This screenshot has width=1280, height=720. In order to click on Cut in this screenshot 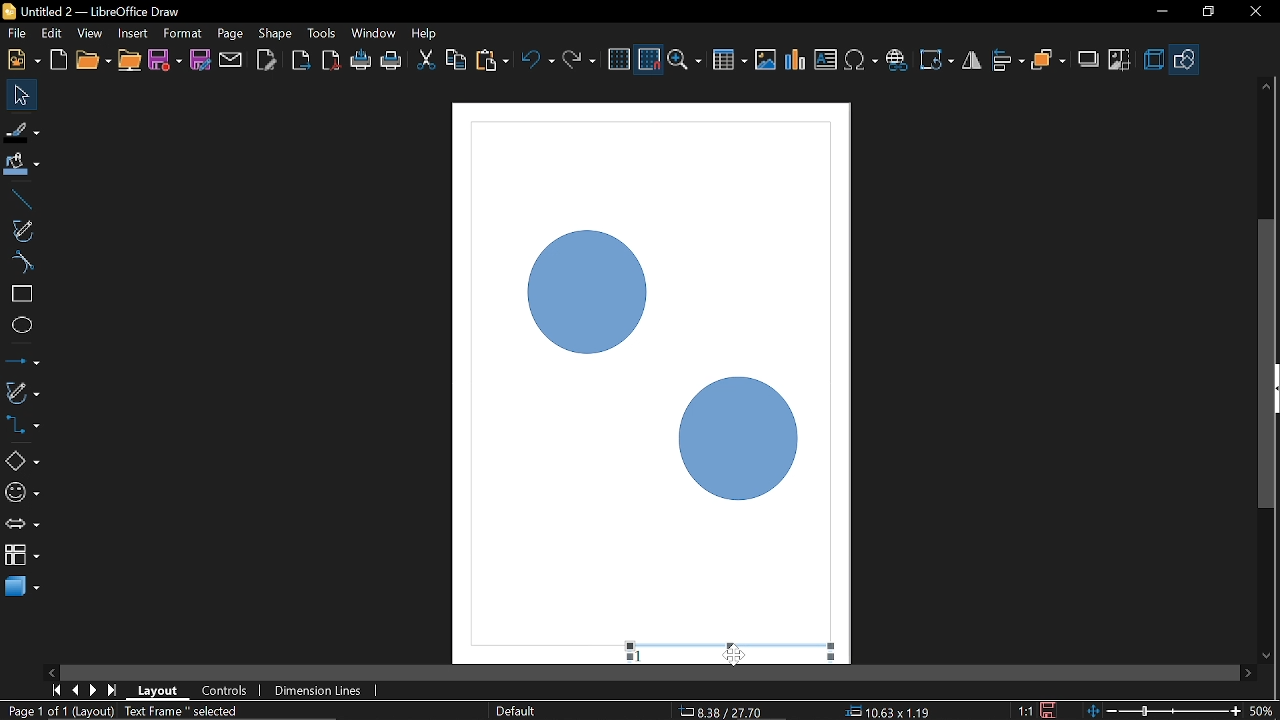, I will do `click(426, 62)`.